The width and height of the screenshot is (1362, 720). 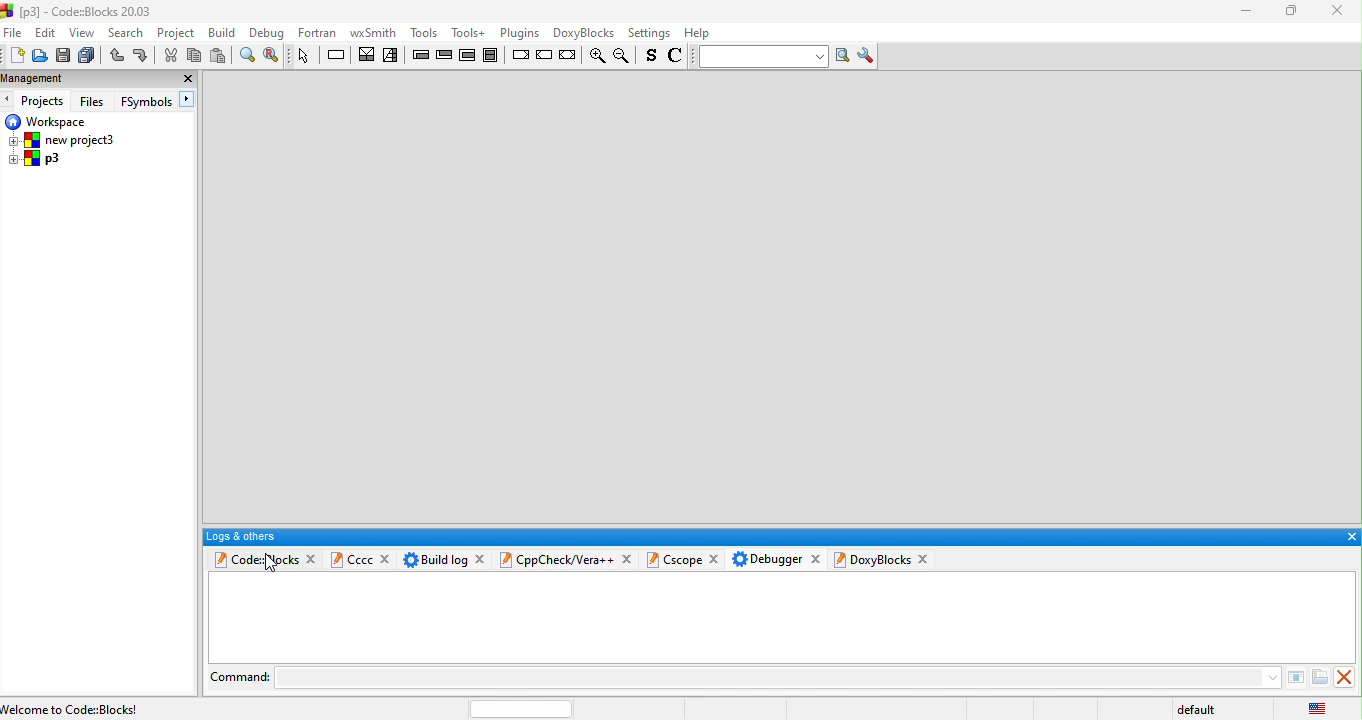 What do you see at coordinates (78, 10) in the screenshot?
I see `code-blocks 20.03` at bounding box center [78, 10].